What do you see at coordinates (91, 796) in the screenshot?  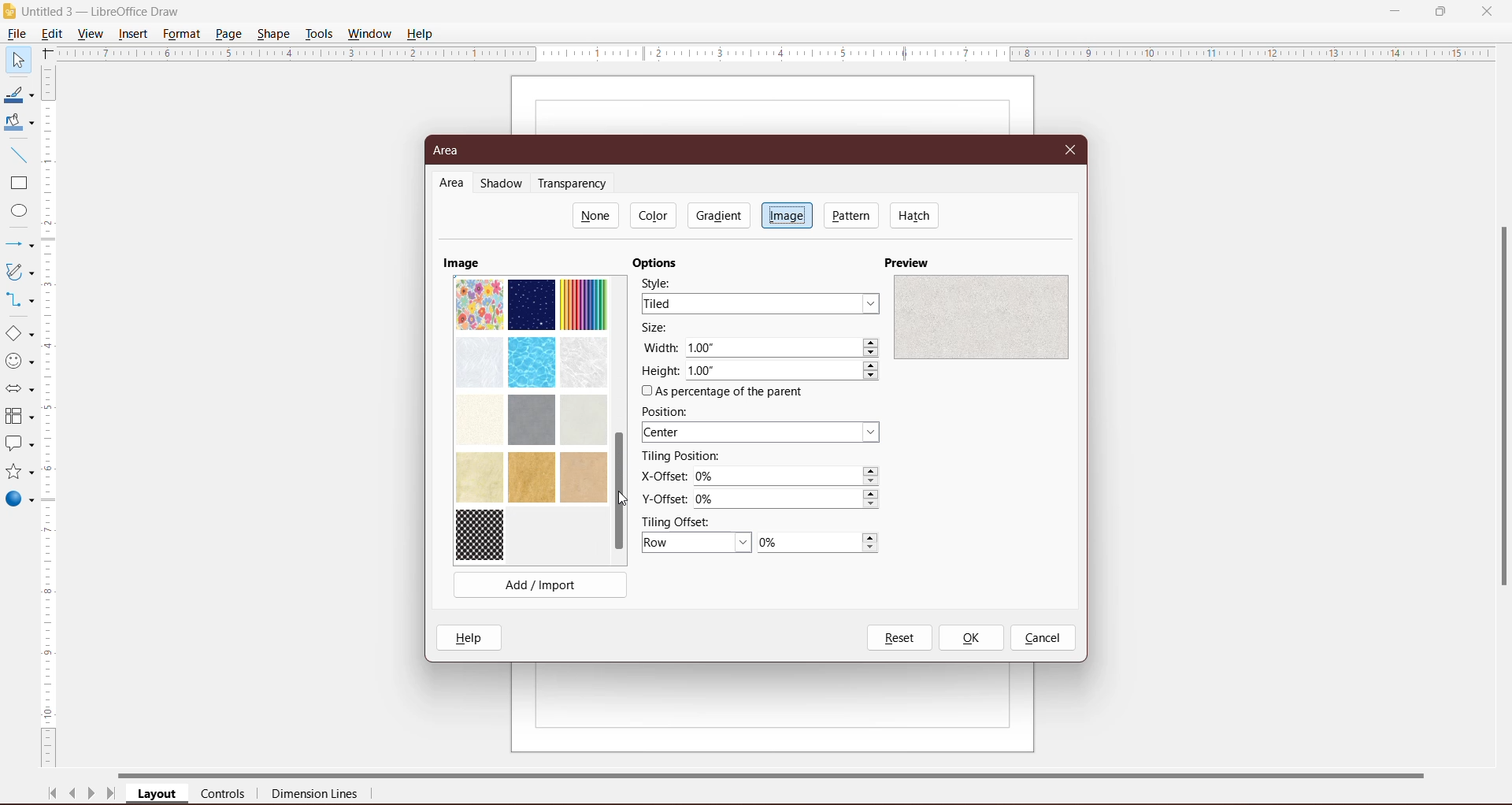 I see `Scroll to next page` at bounding box center [91, 796].